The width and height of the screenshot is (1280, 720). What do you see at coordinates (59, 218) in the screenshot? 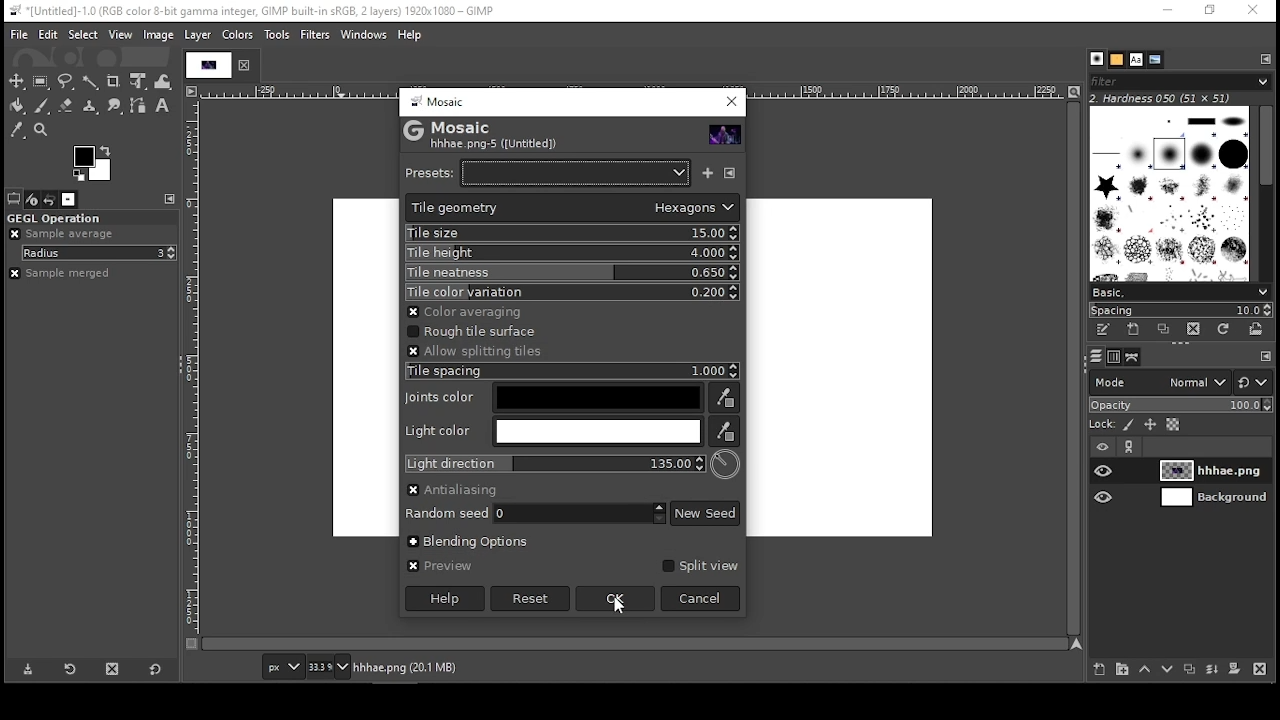
I see `GEGL operation` at bounding box center [59, 218].